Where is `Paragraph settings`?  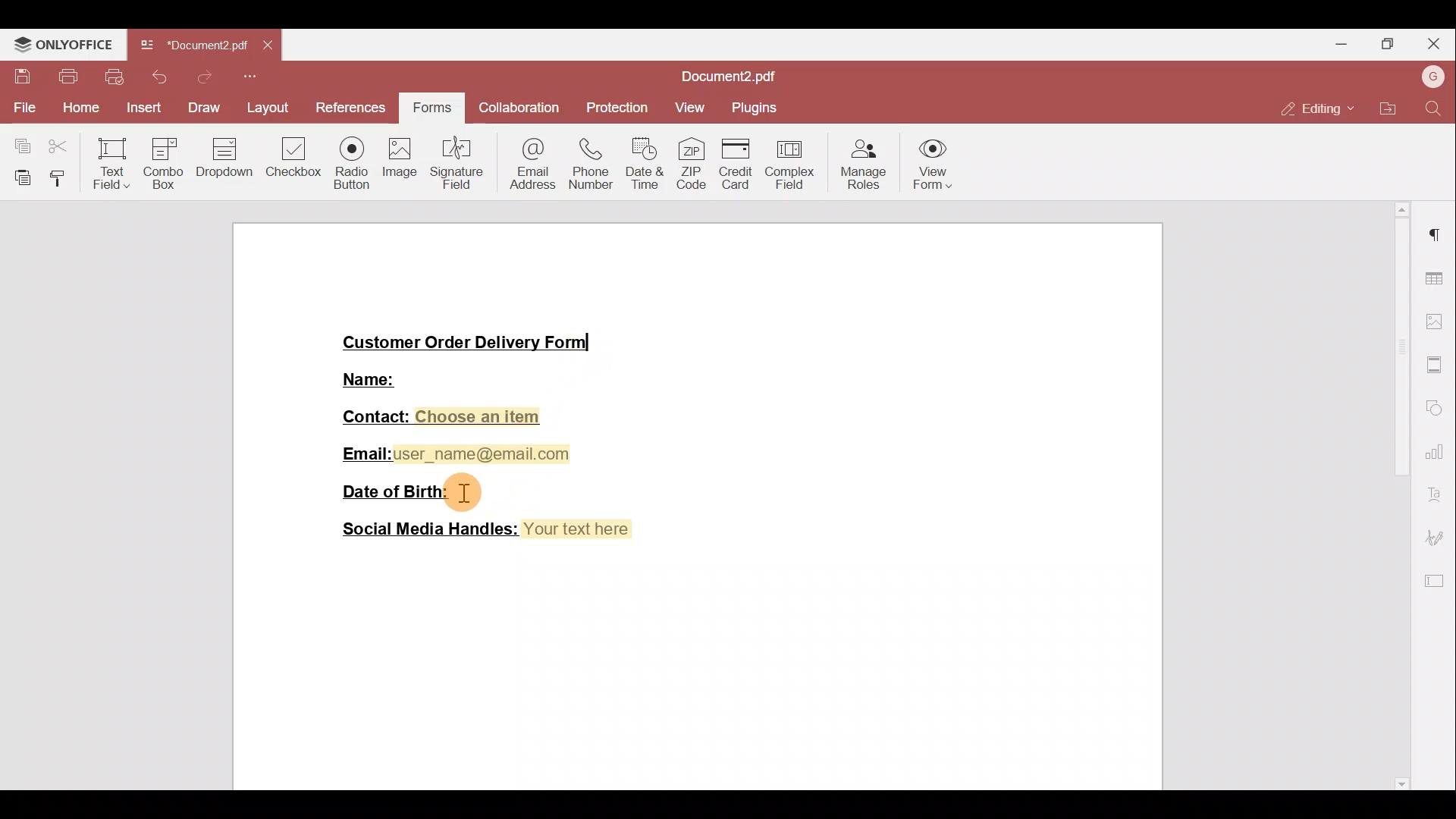
Paragraph settings is located at coordinates (1439, 234).